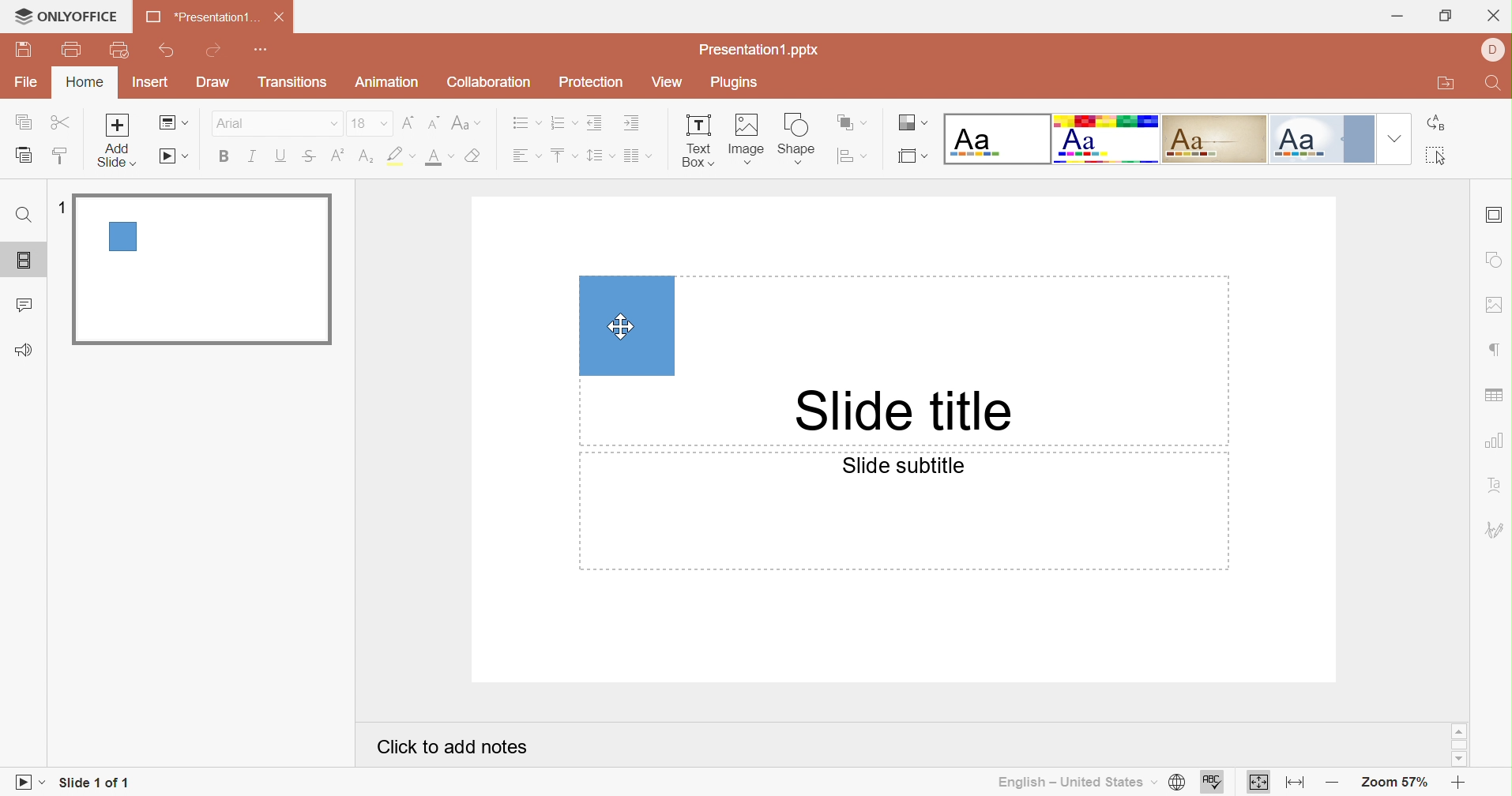  I want to click on Select all, so click(1439, 157).